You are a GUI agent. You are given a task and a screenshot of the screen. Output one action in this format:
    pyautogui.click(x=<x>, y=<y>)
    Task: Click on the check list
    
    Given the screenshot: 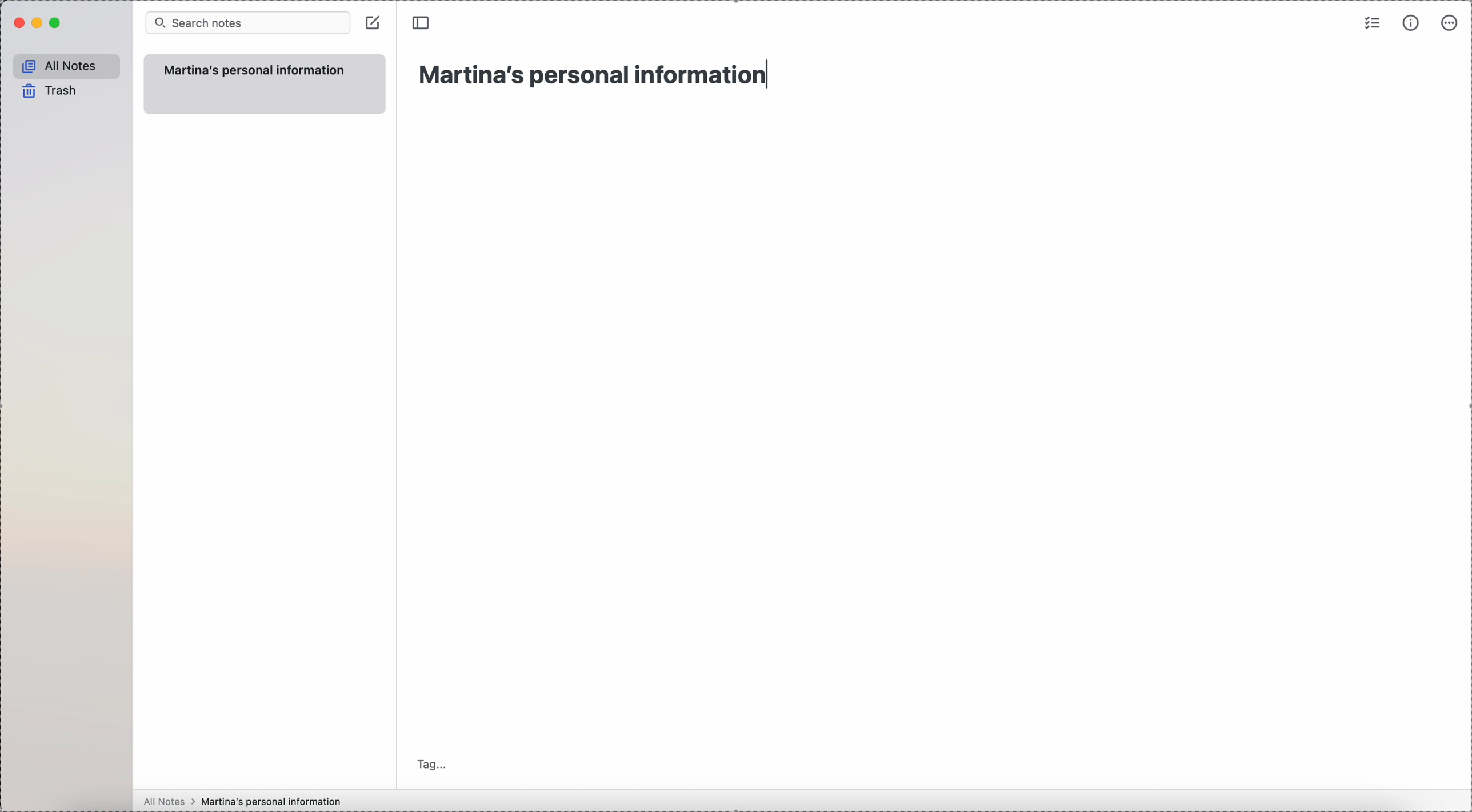 What is the action you would take?
    pyautogui.click(x=1371, y=25)
    